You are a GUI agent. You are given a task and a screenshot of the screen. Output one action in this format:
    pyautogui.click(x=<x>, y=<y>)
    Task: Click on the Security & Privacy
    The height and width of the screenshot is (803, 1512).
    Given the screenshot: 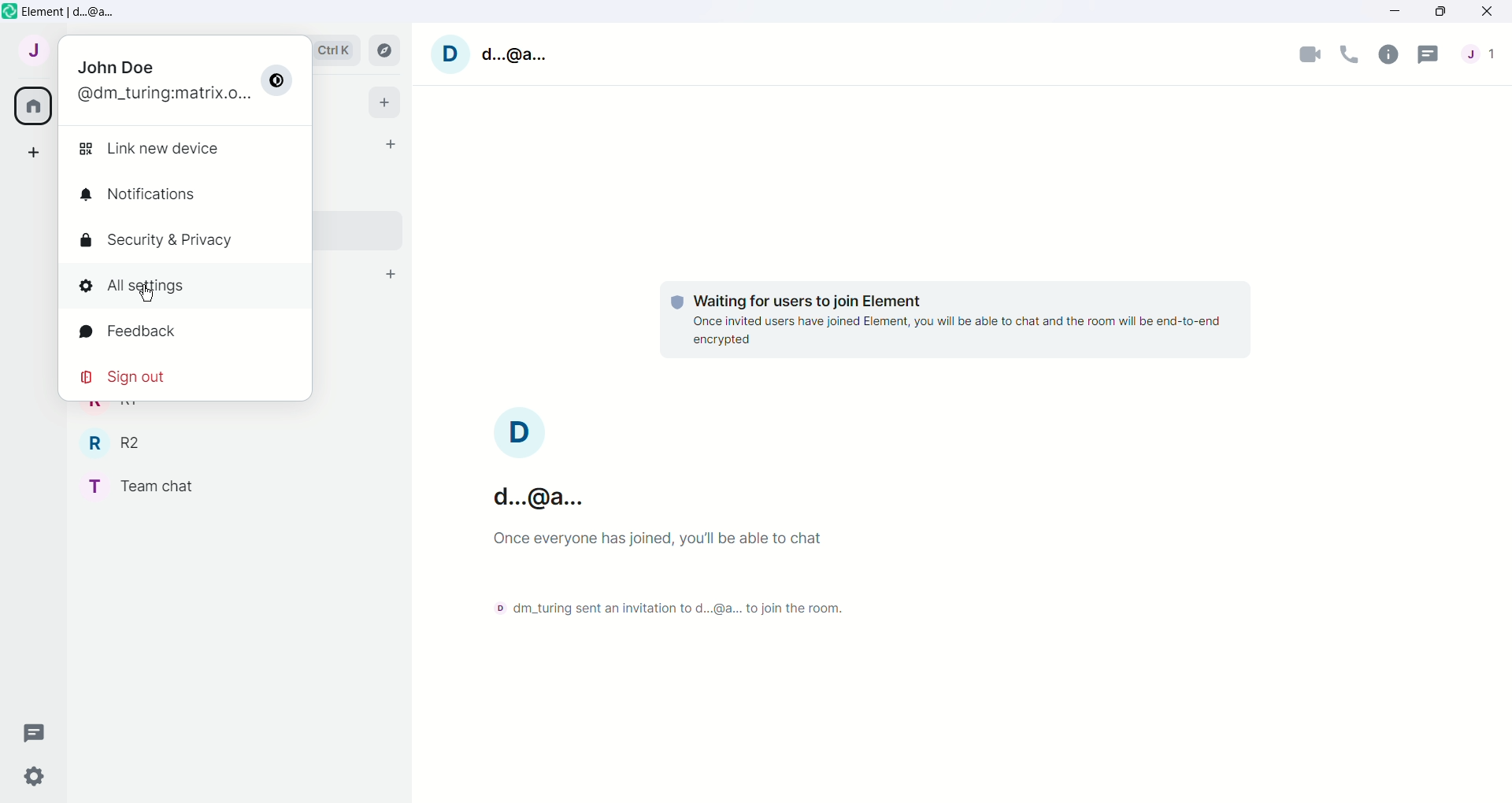 What is the action you would take?
    pyautogui.click(x=186, y=240)
    